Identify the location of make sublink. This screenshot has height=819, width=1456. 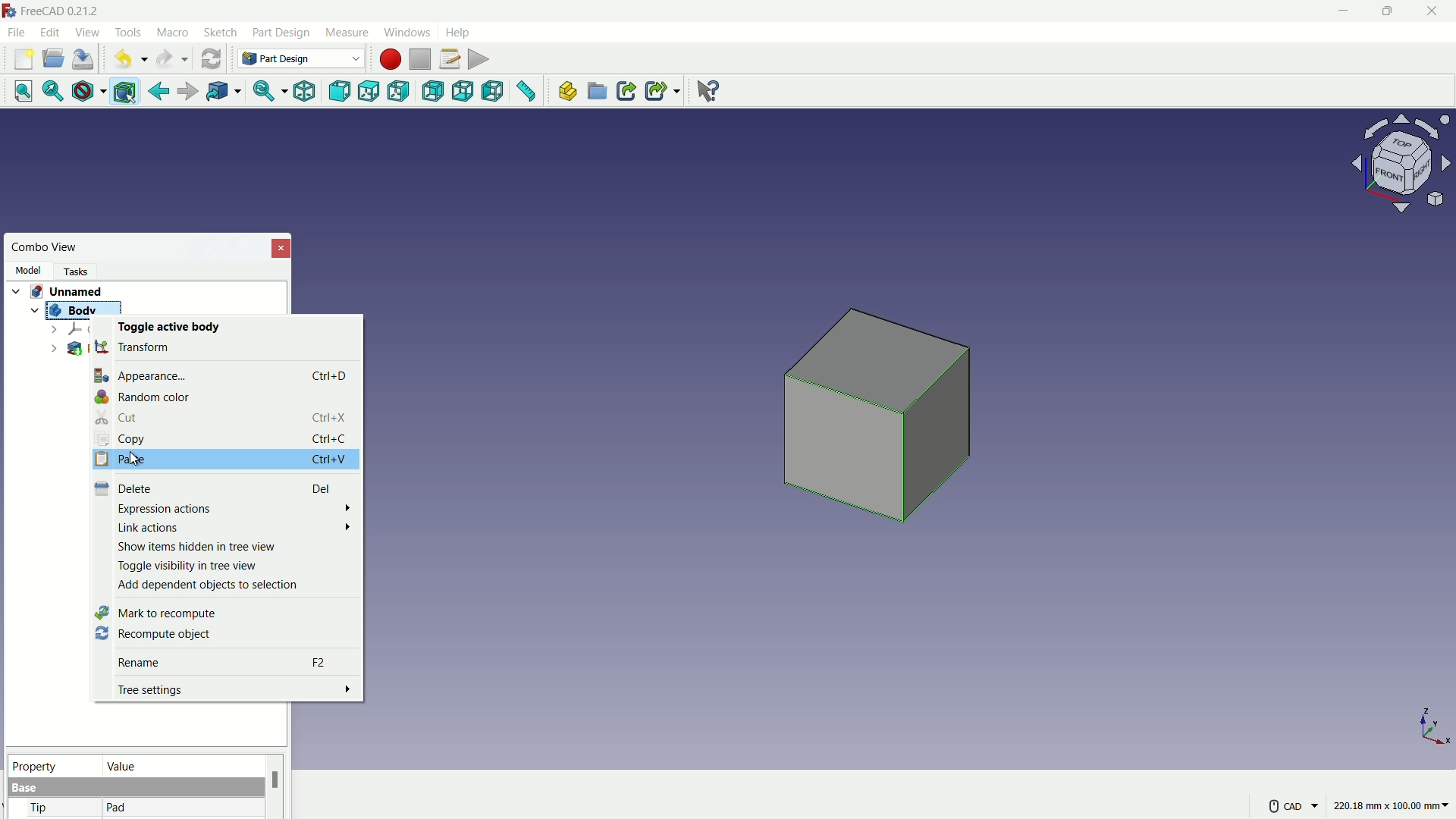
(663, 91).